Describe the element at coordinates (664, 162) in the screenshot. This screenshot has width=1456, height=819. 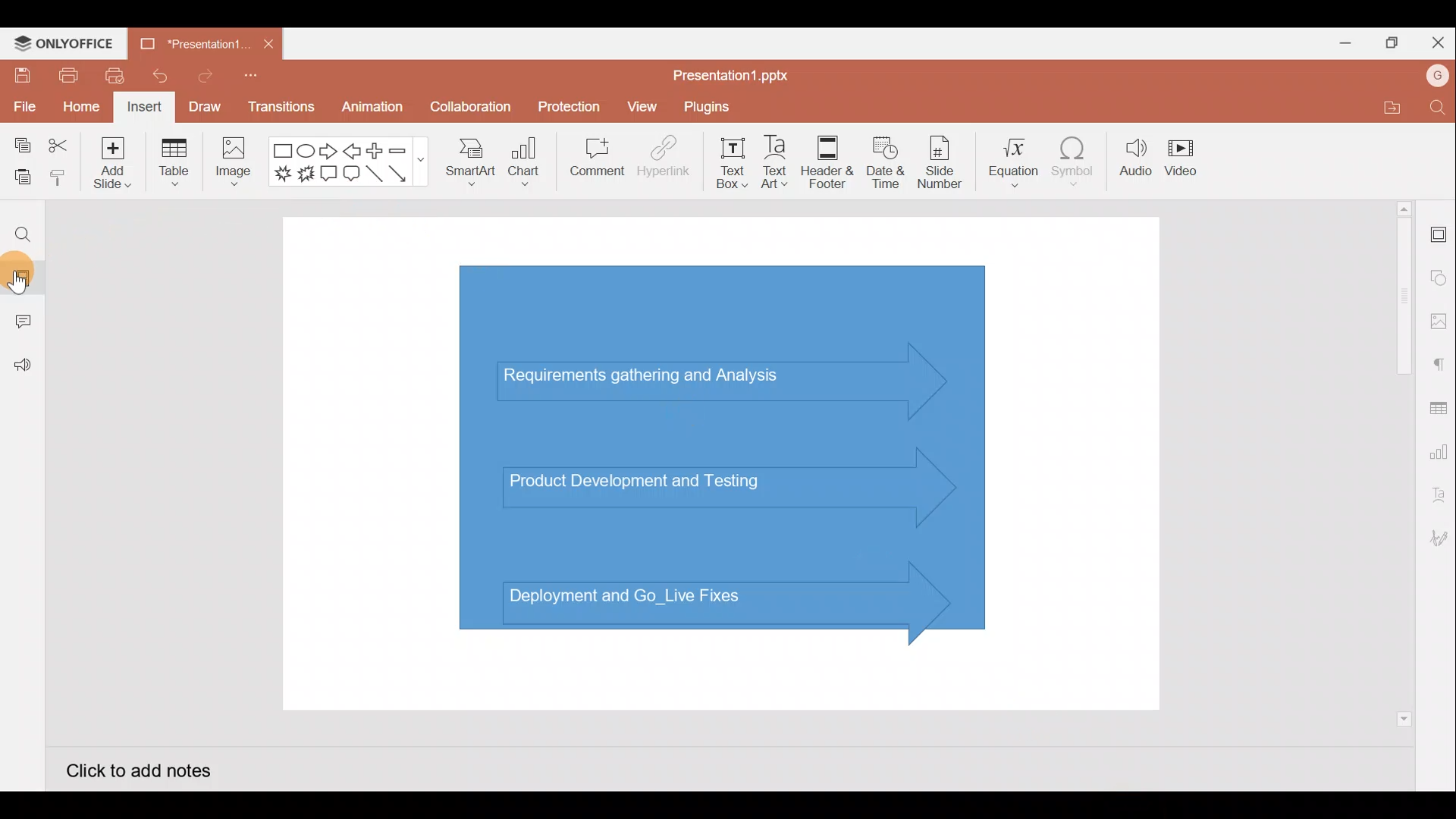
I see `Hyperlink` at that location.